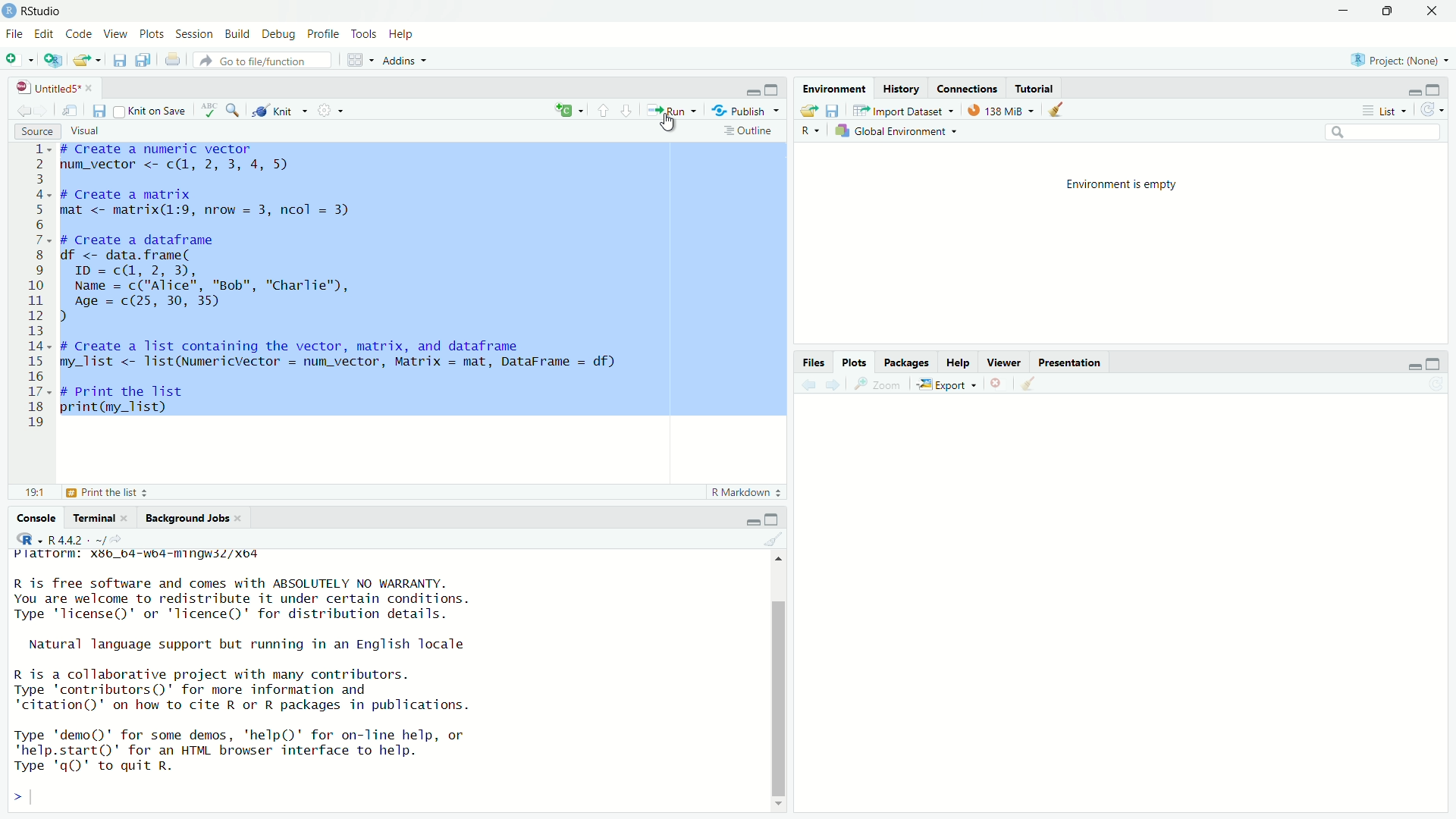  I want to click on Presentation, so click(1077, 362).